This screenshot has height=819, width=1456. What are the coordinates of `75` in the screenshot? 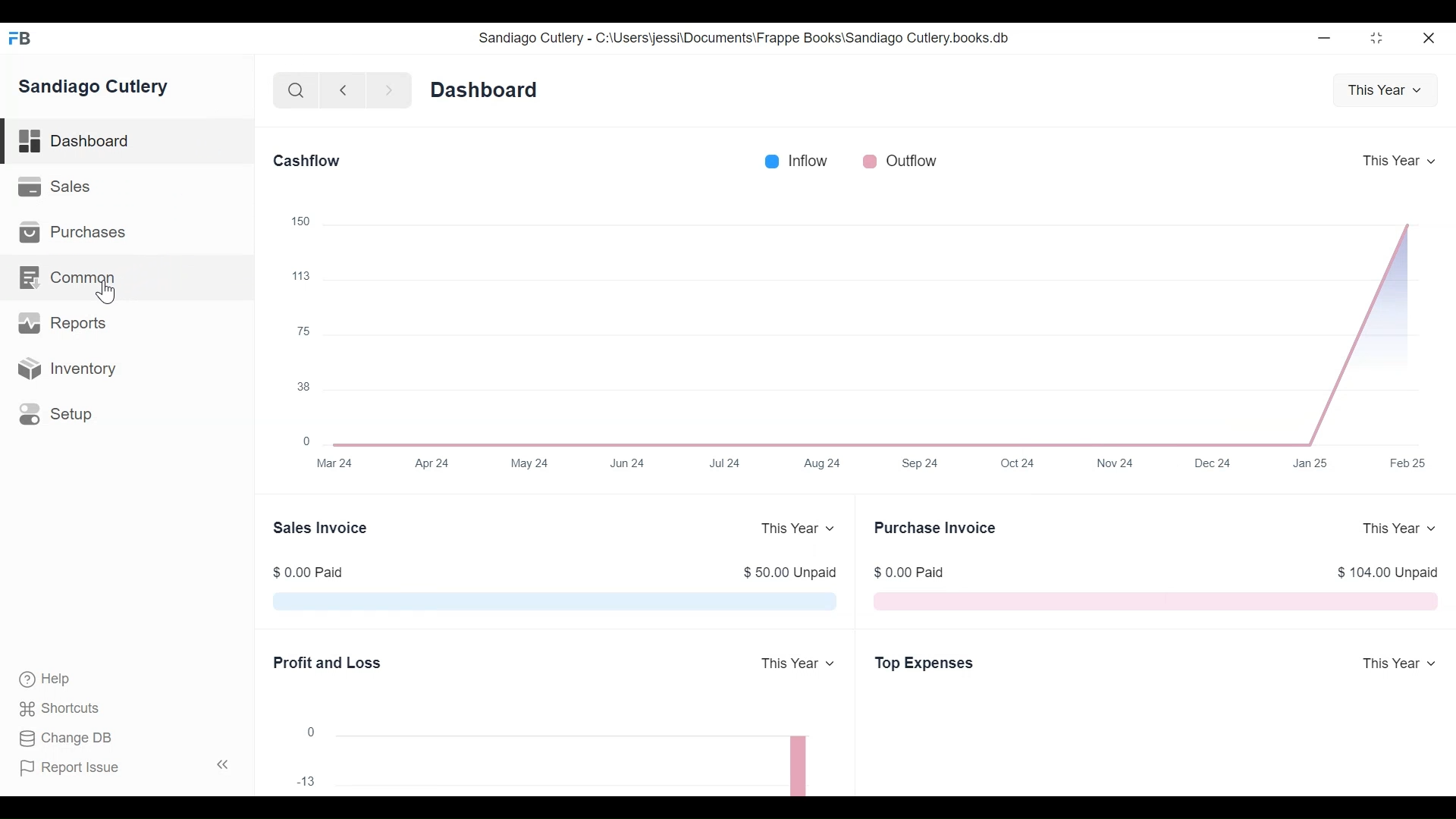 It's located at (302, 329).